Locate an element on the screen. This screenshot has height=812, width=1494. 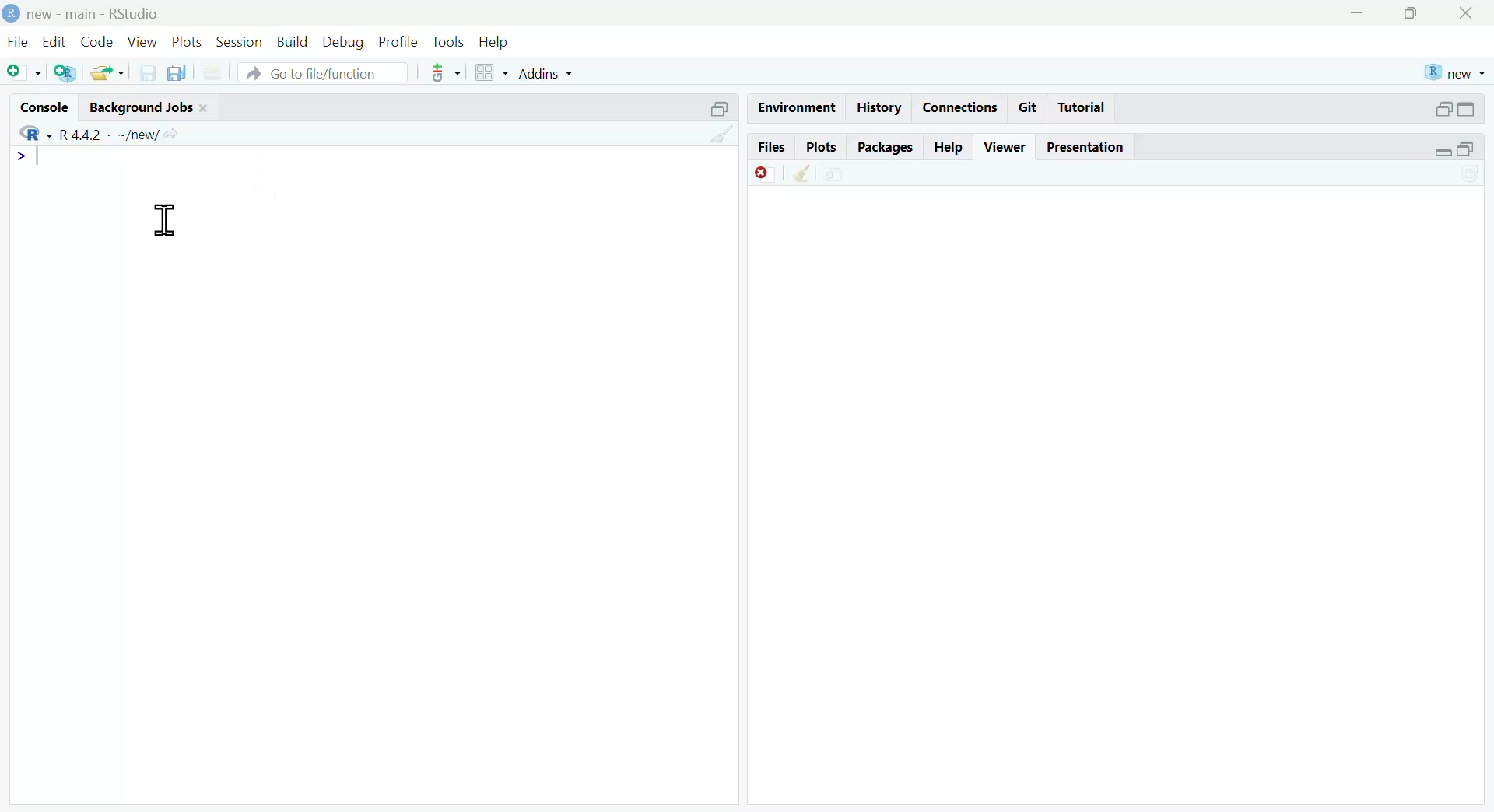
open existing file is located at coordinates (104, 72).